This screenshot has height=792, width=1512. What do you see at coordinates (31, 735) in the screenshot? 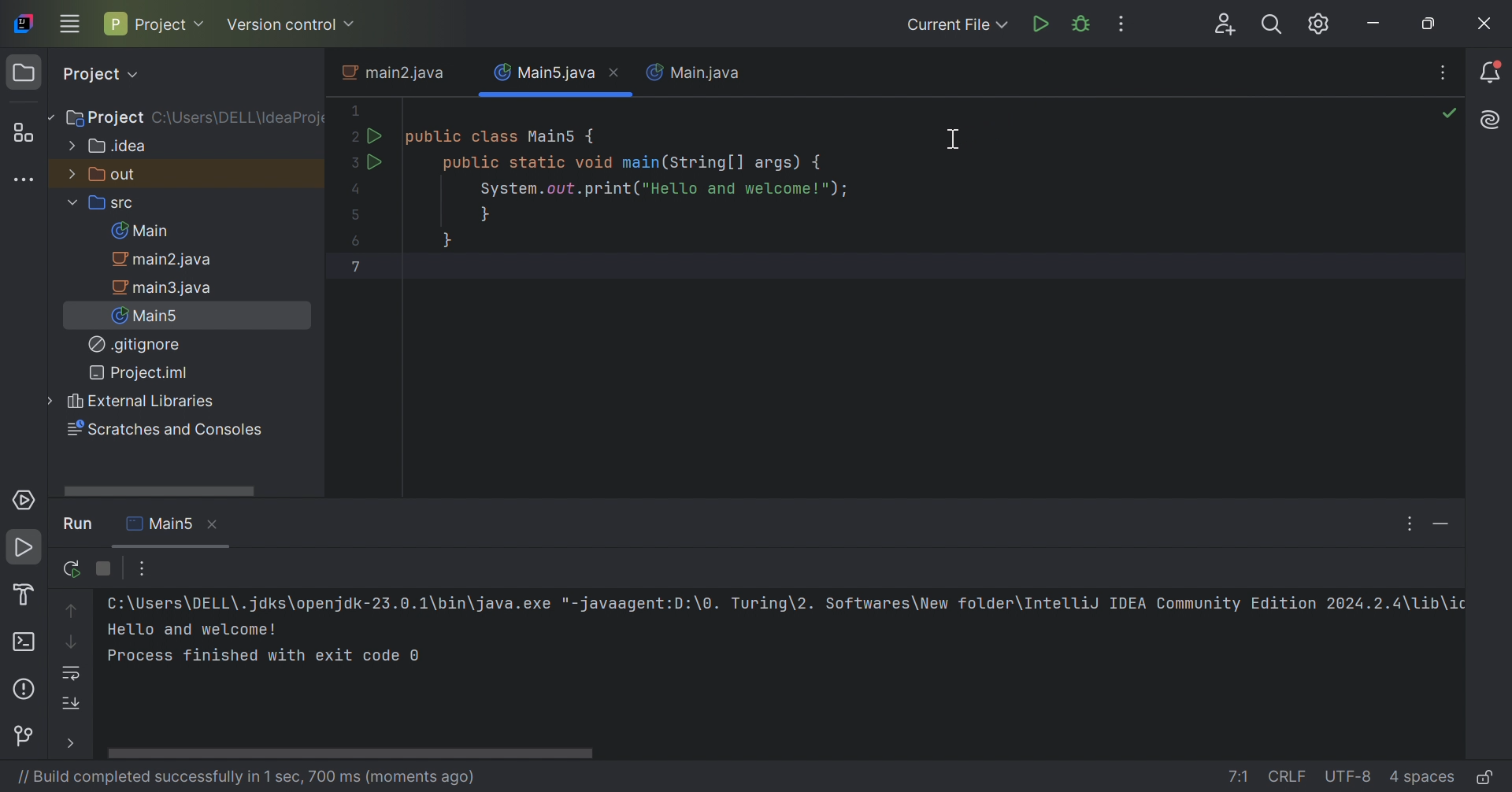
I see `Version Control` at bounding box center [31, 735].